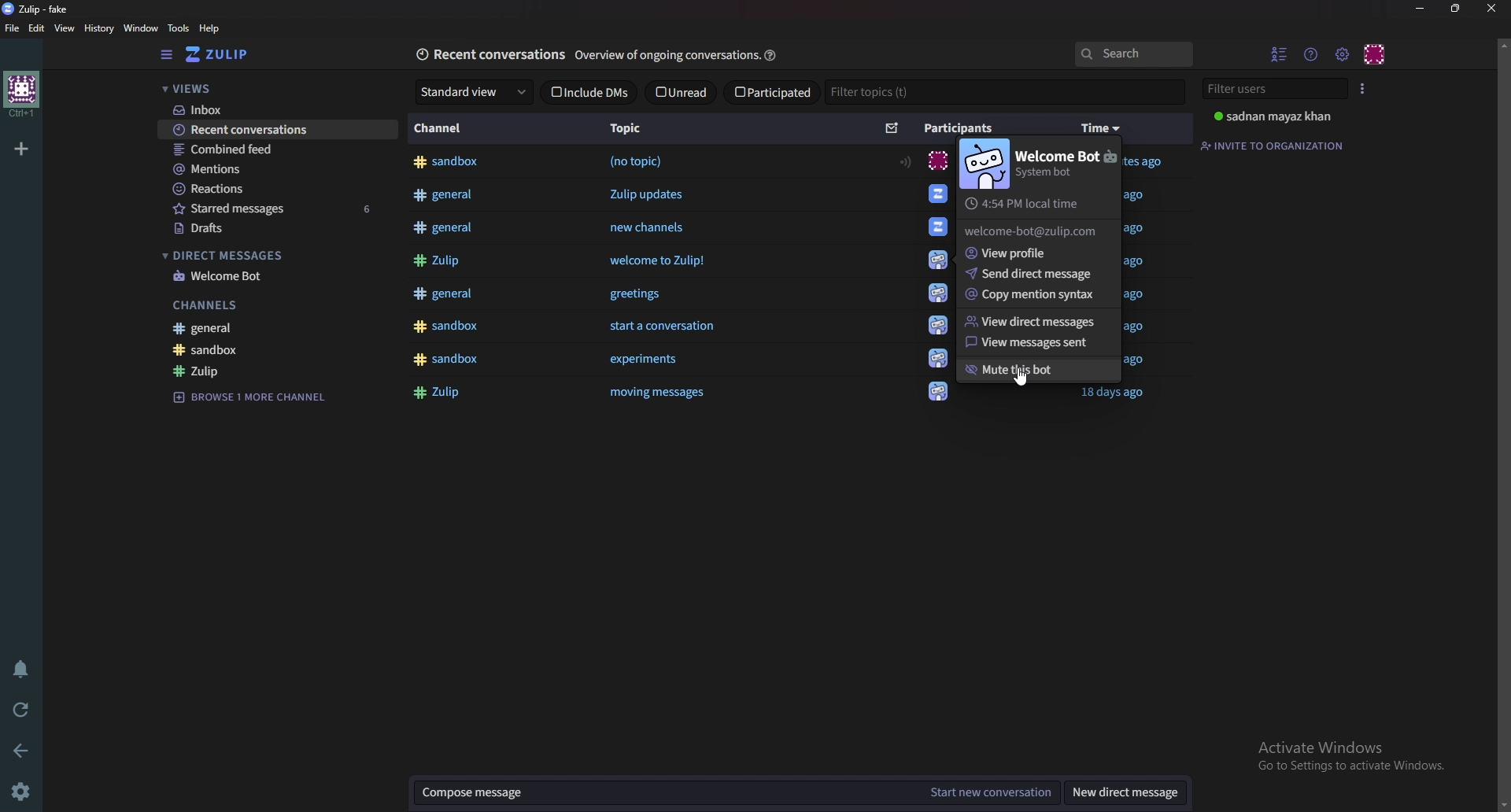 Image resolution: width=1511 pixels, height=812 pixels. What do you see at coordinates (445, 293) in the screenshot?
I see `#general` at bounding box center [445, 293].